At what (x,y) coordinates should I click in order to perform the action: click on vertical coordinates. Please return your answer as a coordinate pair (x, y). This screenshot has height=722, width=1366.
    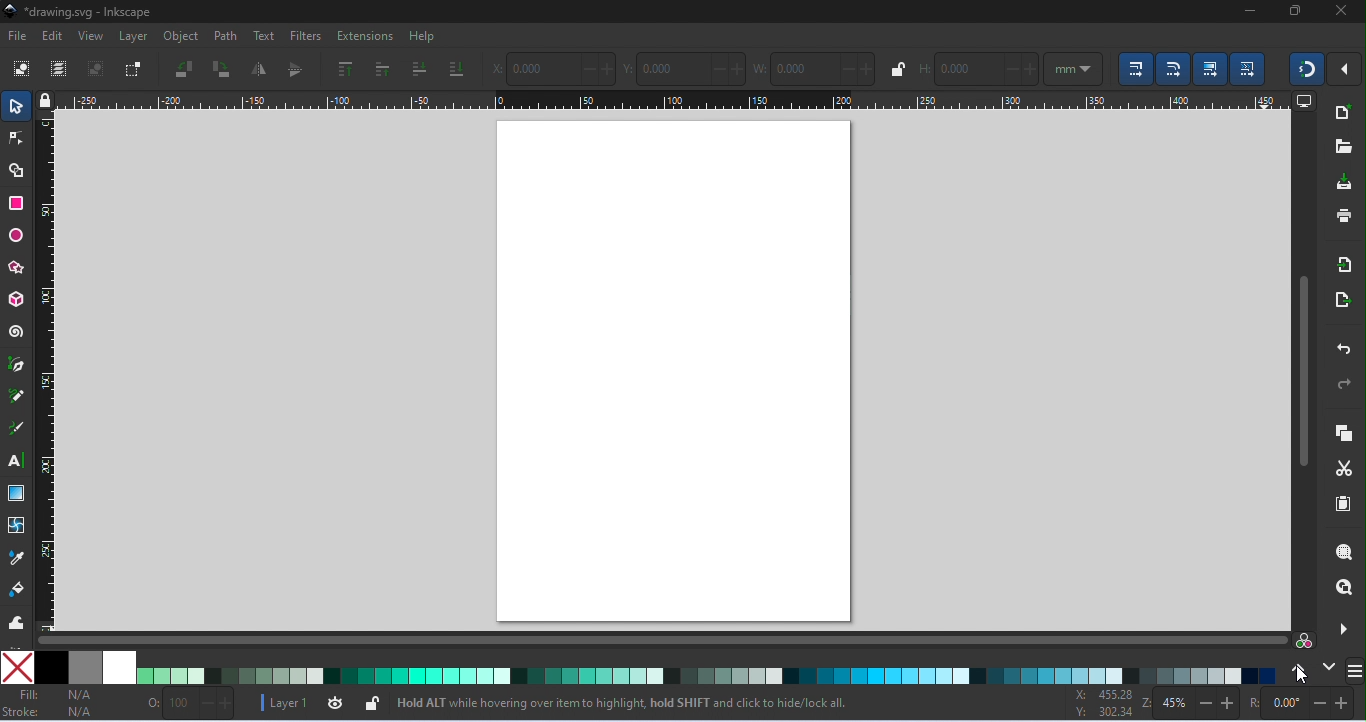
    Looking at the image, I should click on (686, 67).